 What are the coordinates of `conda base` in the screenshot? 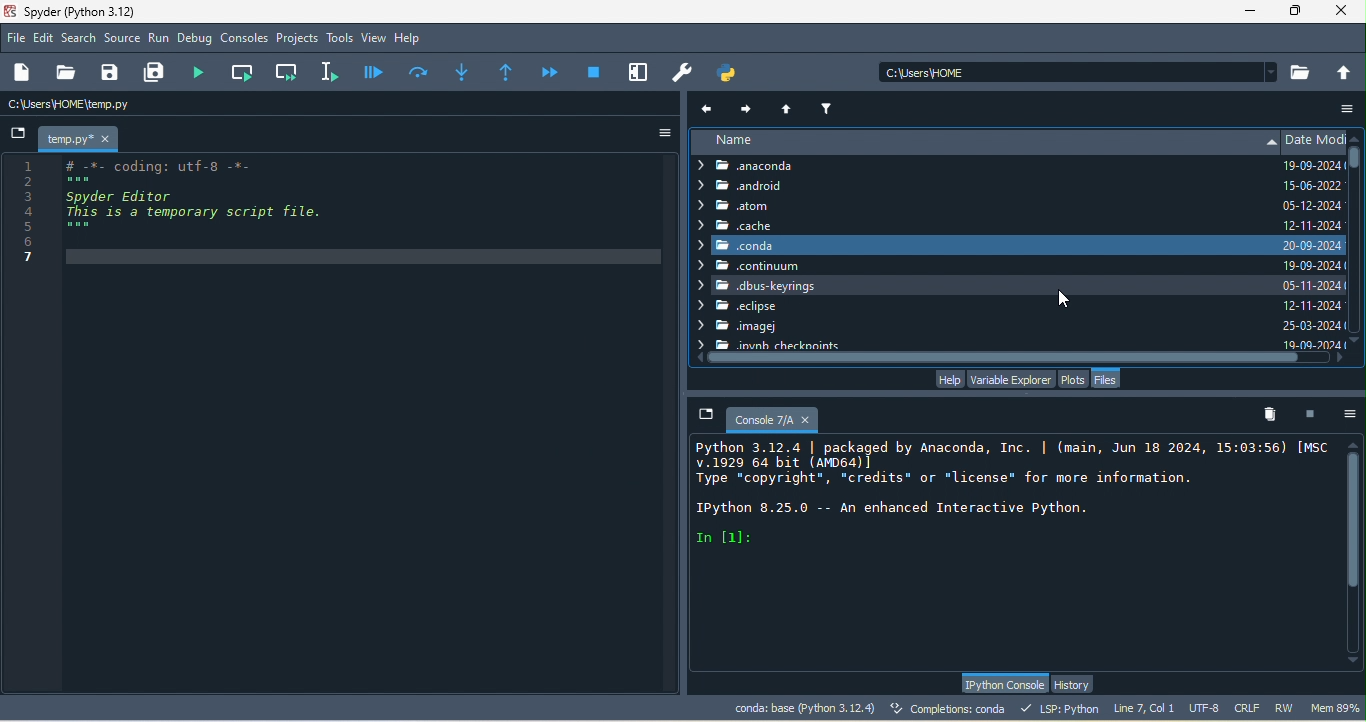 It's located at (804, 708).